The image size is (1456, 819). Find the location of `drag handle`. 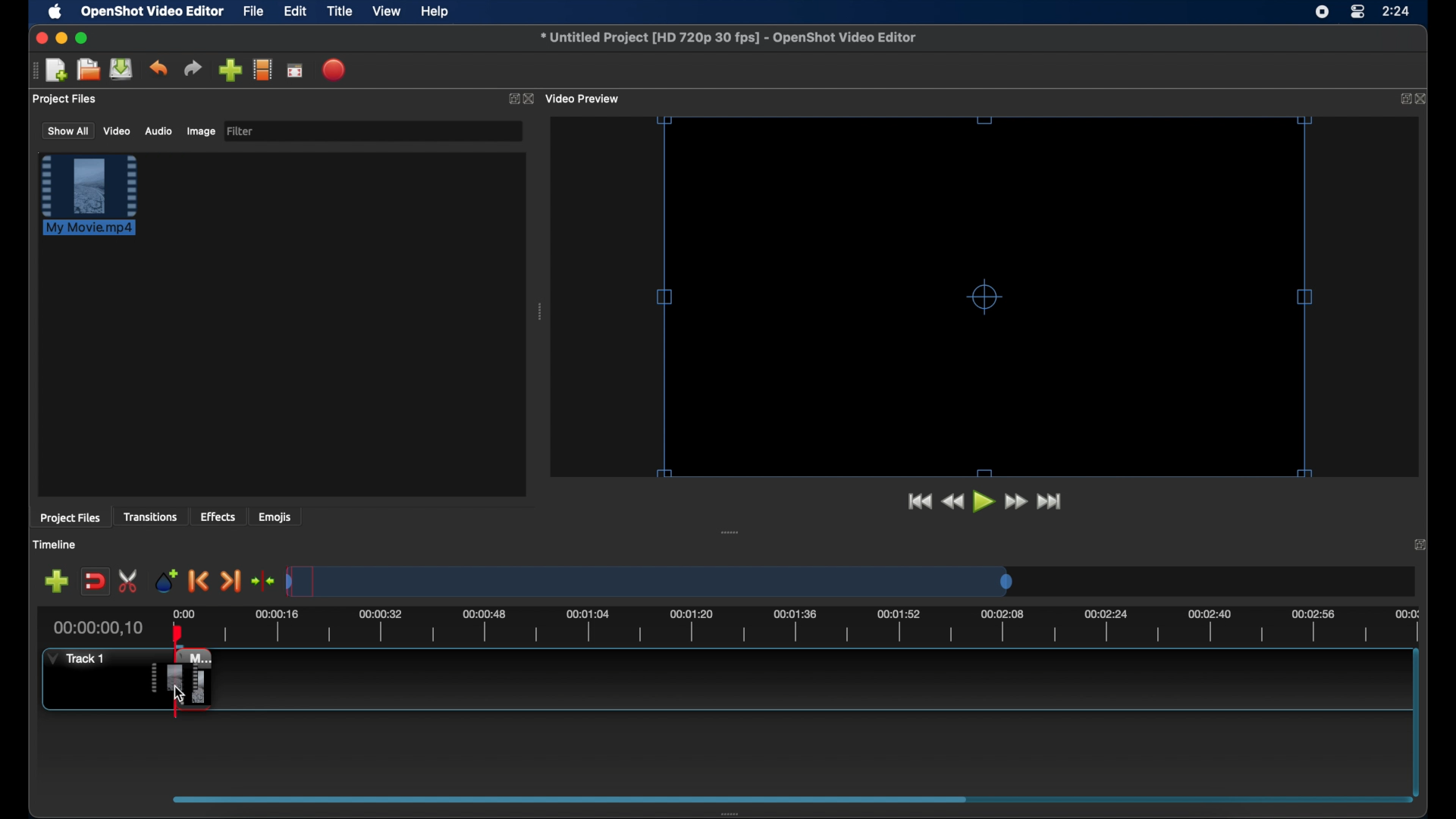

drag handle is located at coordinates (731, 532).